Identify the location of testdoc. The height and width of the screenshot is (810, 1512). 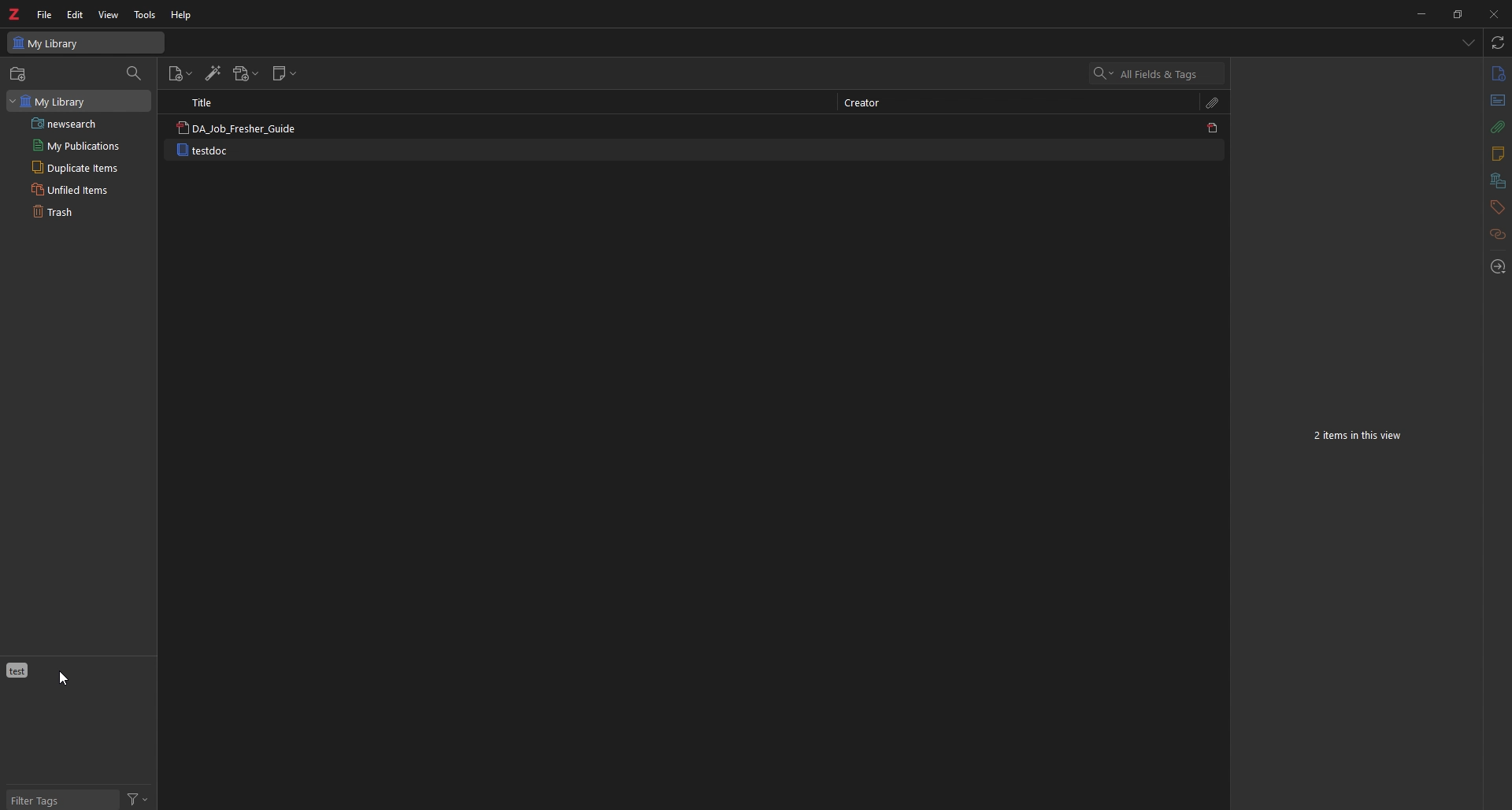
(203, 150).